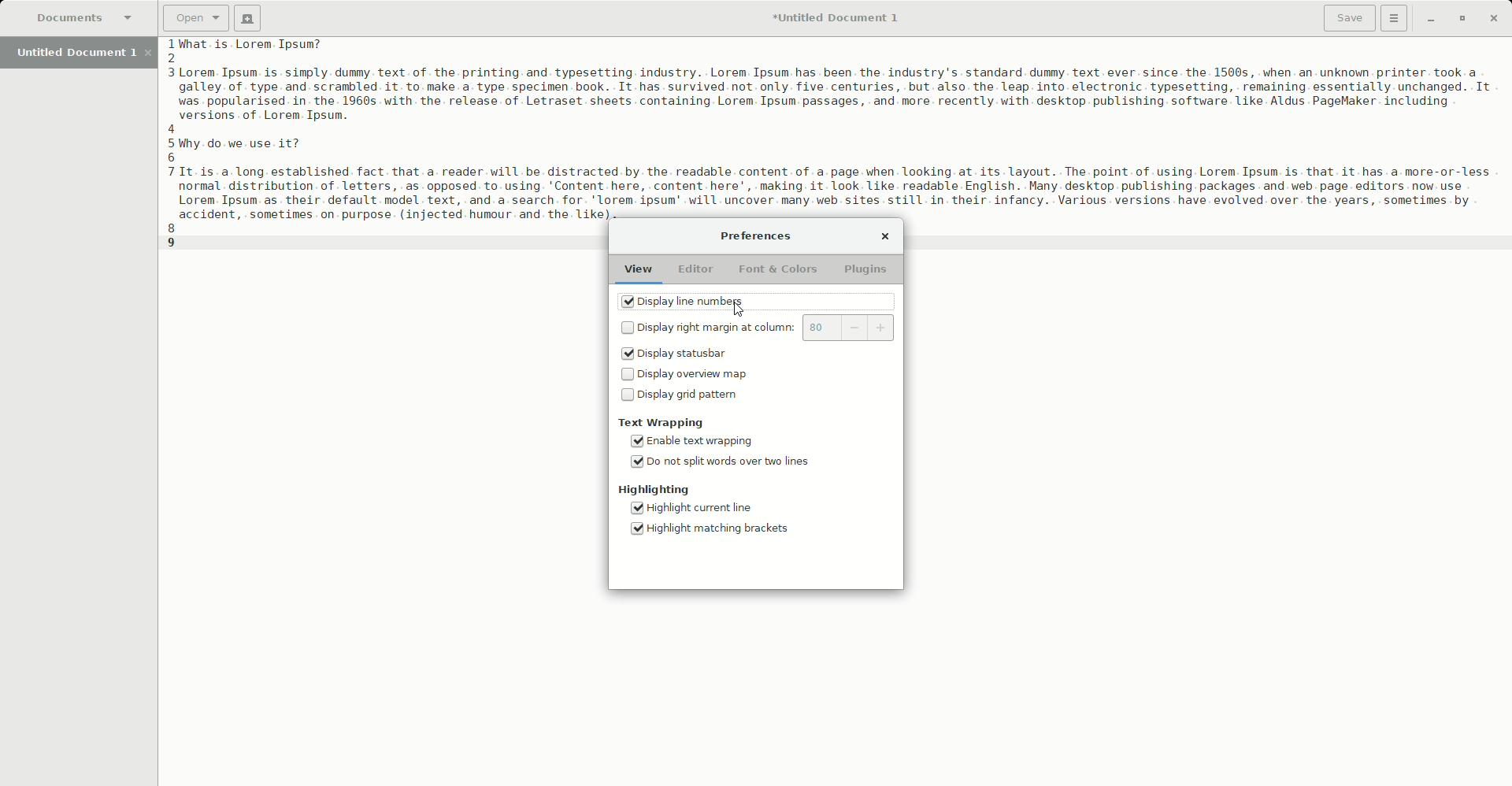 This screenshot has height=786, width=1512. Describe the element at coordinates (1493, 17) in the screenshot. I see `Close` at that location.